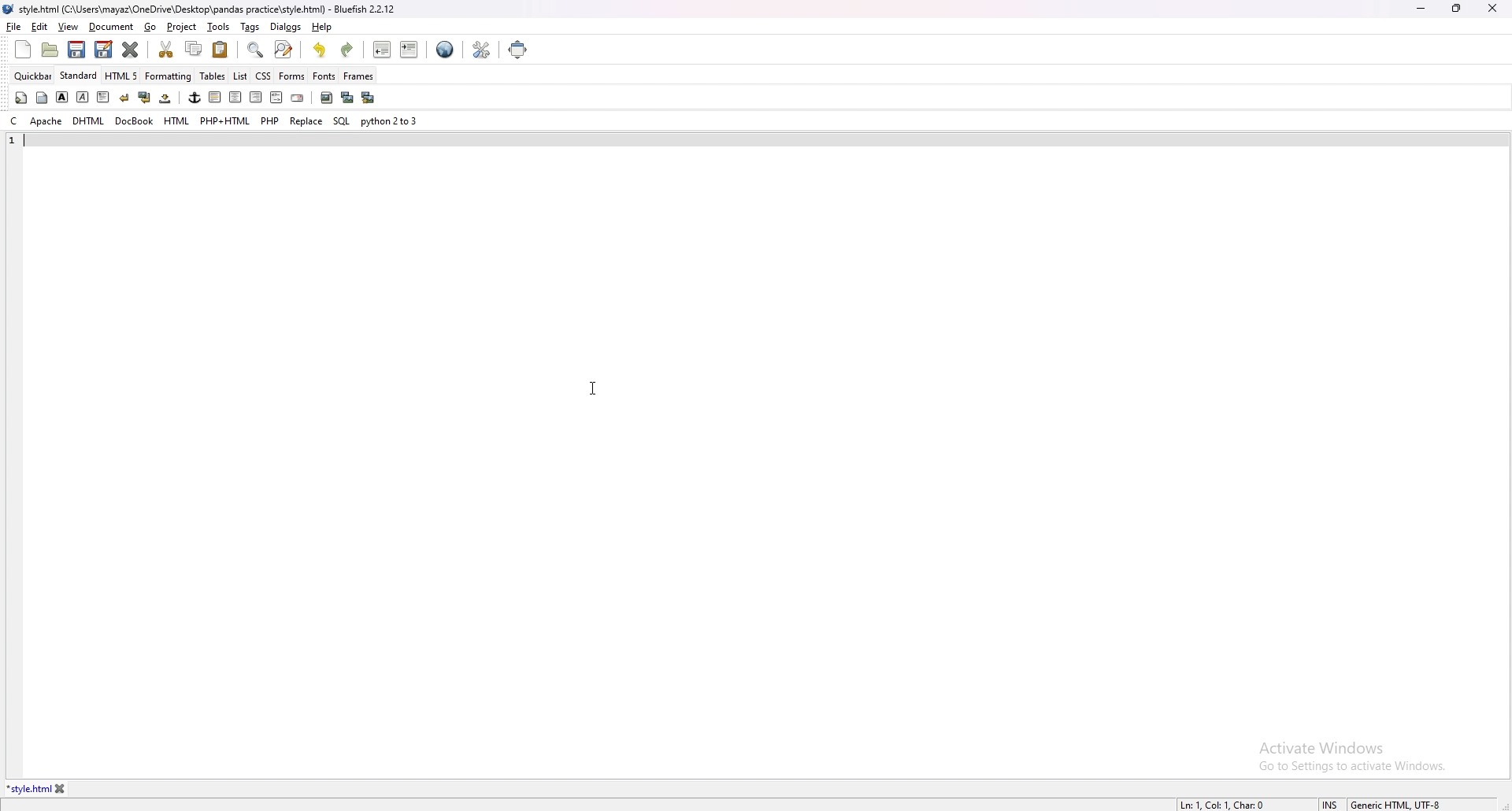 The height and width of the screenshot is (811, 1512). What do you see at coordinates (40, 27) in the screenshot?
I see `edit` at bounding box center [40, 27].